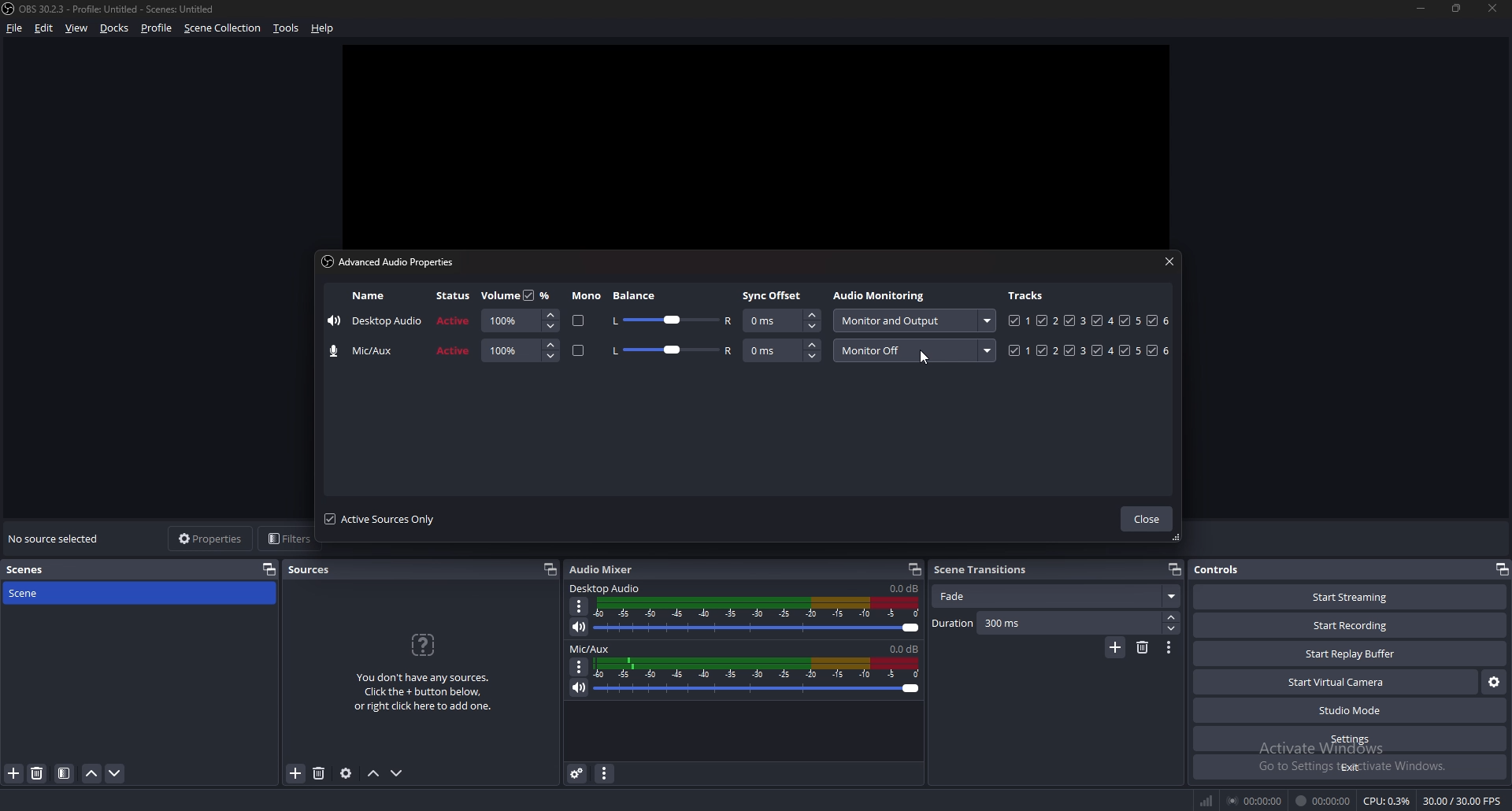 The width and height of the screenshot is (1512, 811). Describe the element at coordinates (586, 296) in the screenshot. I see `mono` at that location.